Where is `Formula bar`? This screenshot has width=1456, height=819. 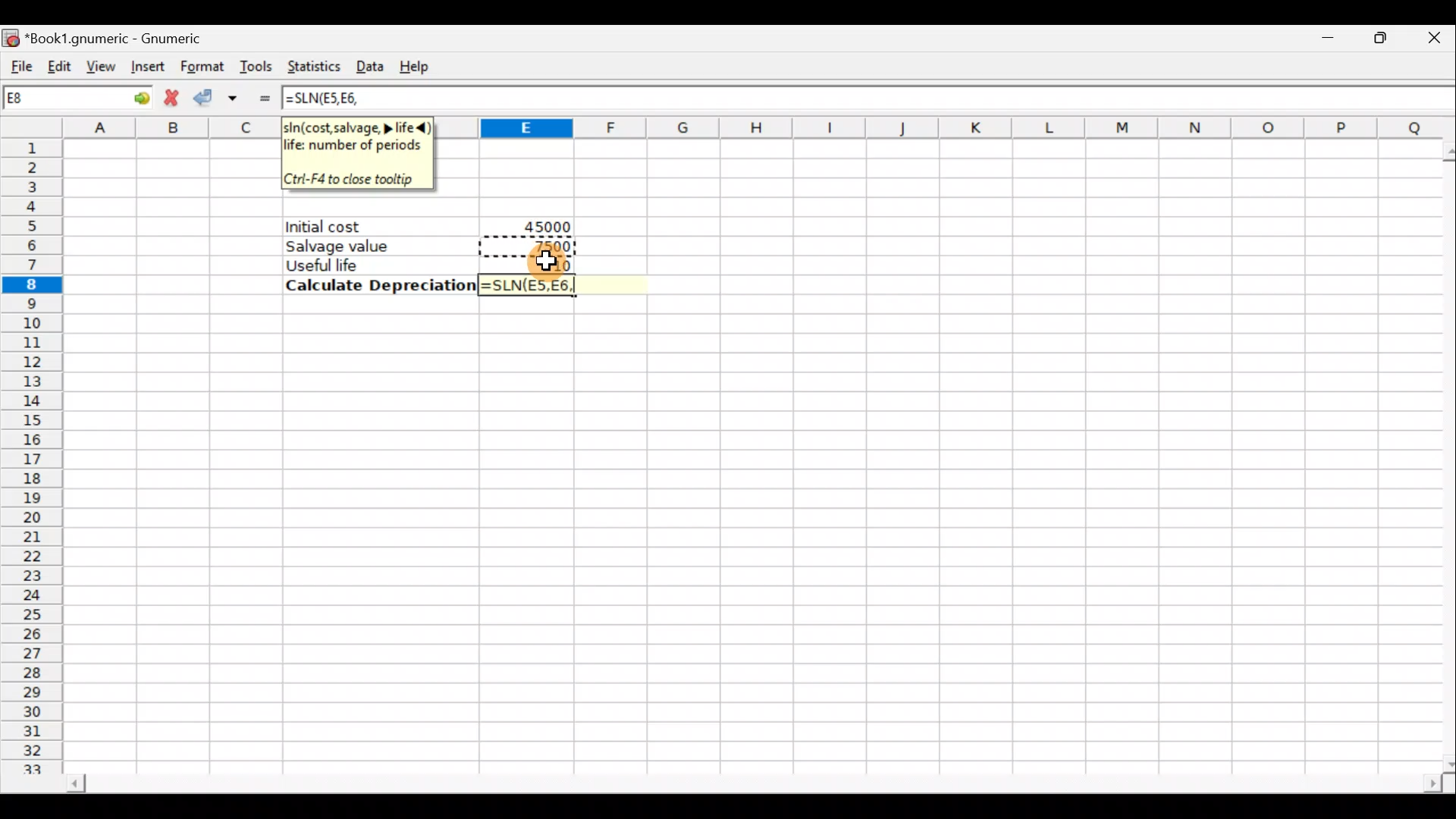 Formula bar is located at coordinates (918, 99).